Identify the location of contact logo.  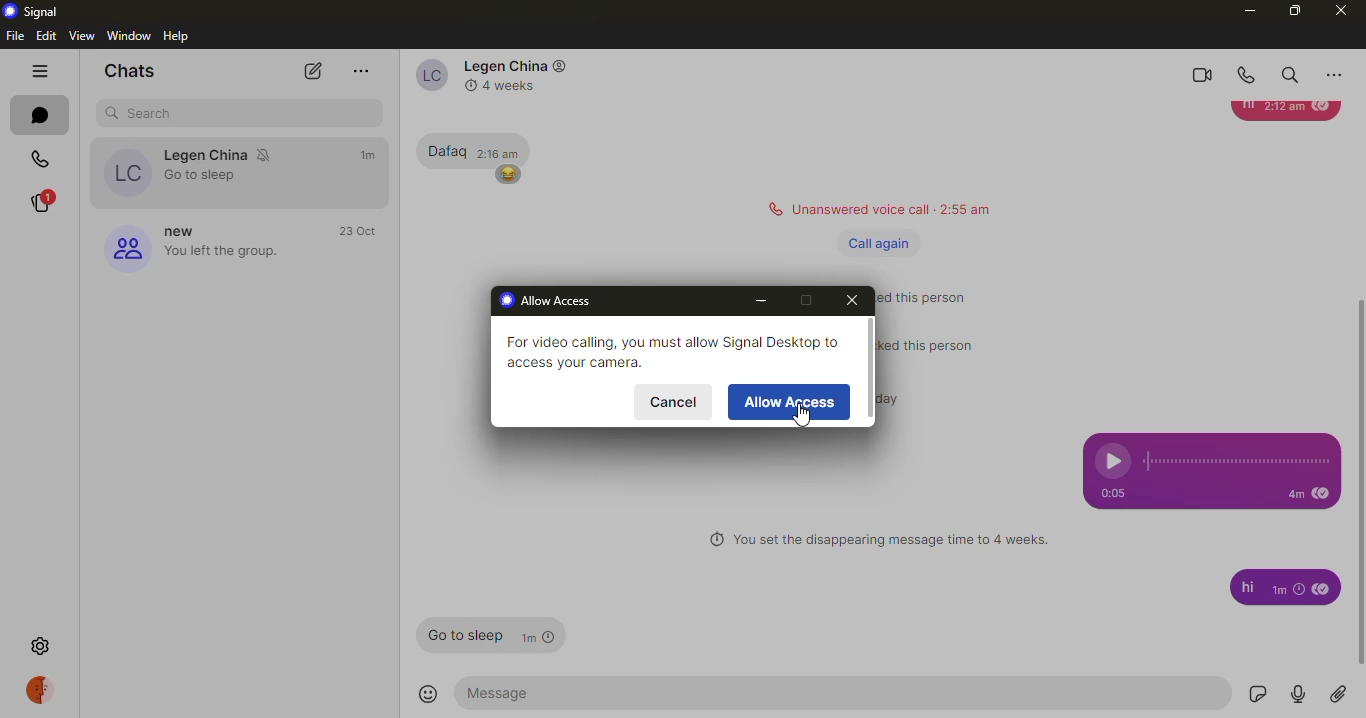
(561, 67).